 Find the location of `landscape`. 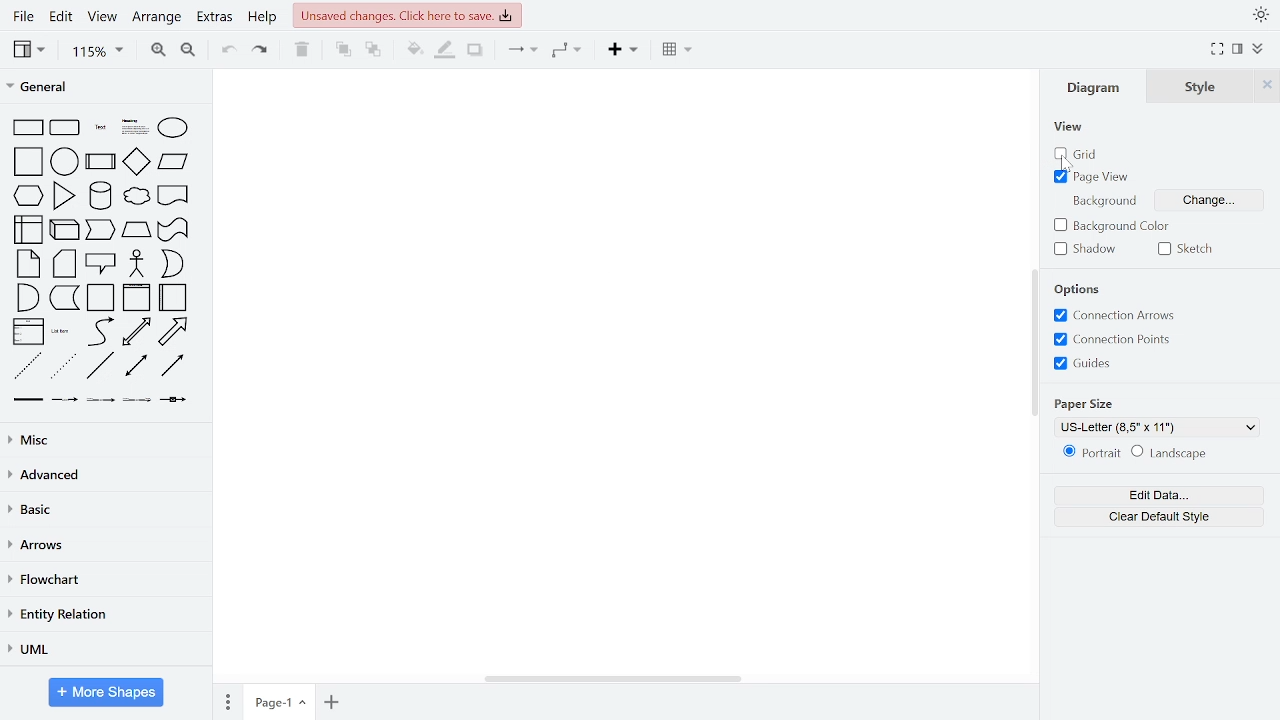

landscape is located at coordinates (1172, 453).